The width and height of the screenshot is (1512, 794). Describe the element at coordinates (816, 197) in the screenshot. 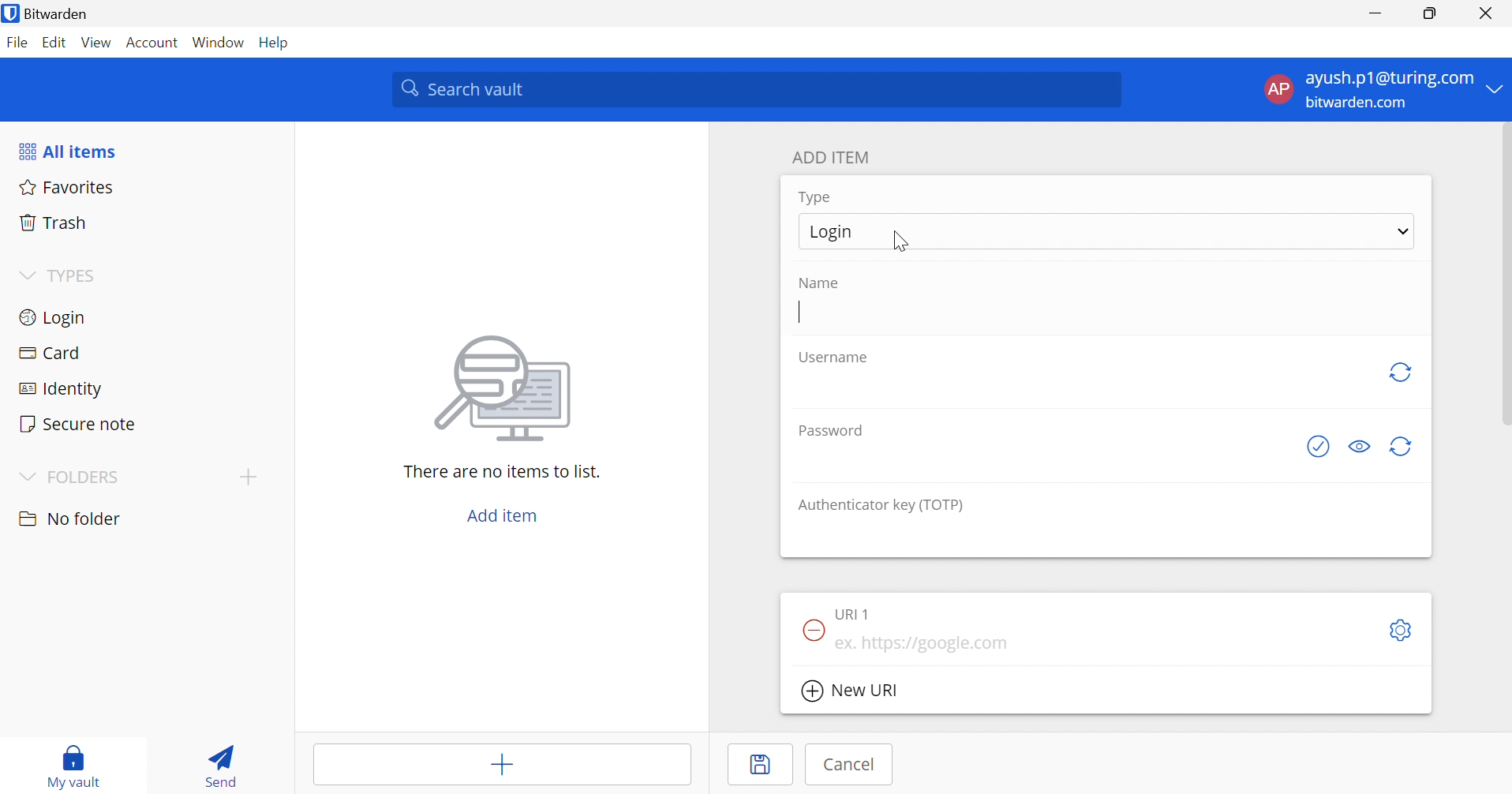

I see `Type` at that location.